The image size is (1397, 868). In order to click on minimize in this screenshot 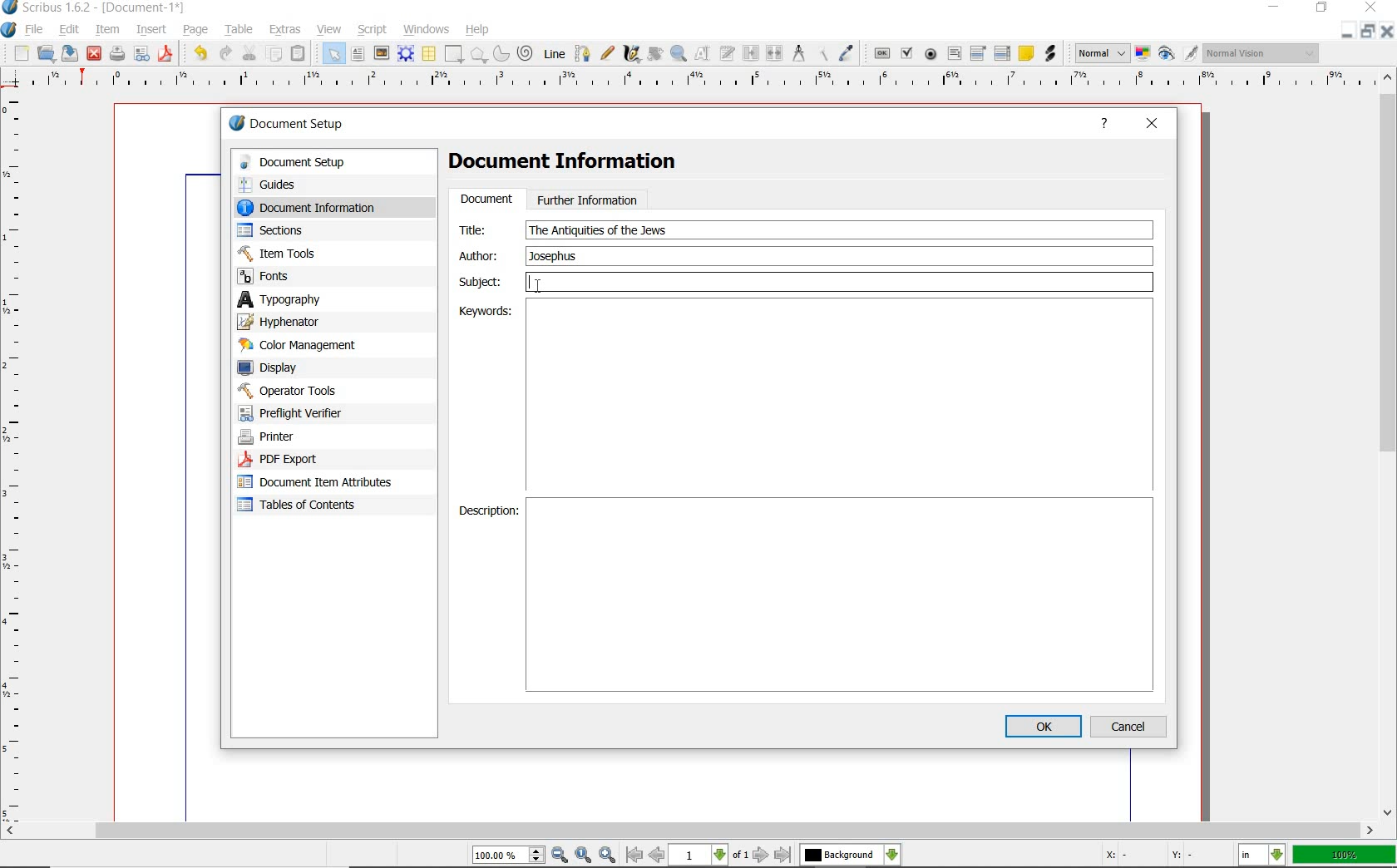, I will do `click(1272, 7)`.